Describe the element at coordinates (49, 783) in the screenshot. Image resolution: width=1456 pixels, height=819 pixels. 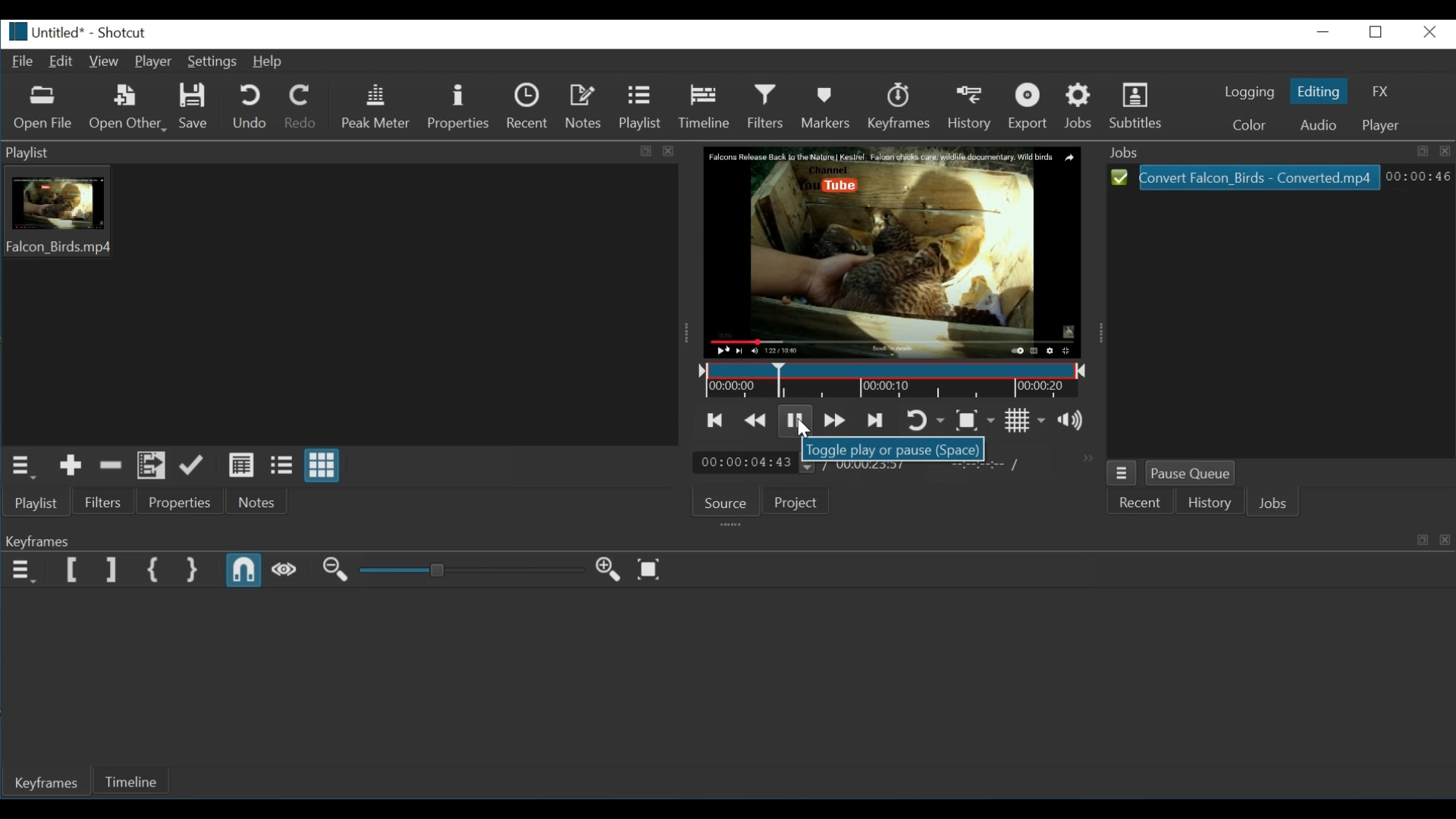
I see `Keyframes` at that location.